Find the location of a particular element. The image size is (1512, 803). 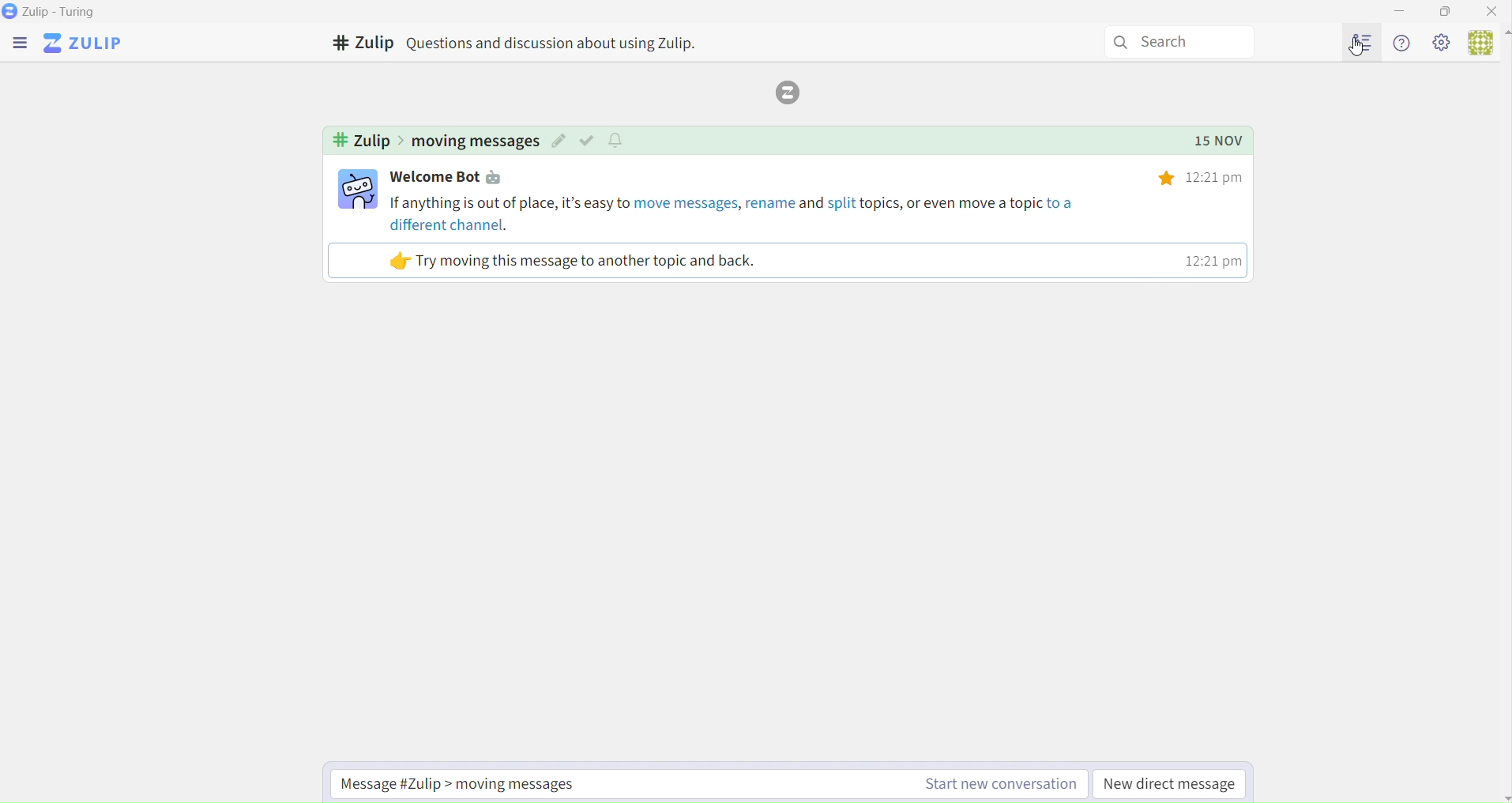

# Zulip is located at coordinates (361, 44).